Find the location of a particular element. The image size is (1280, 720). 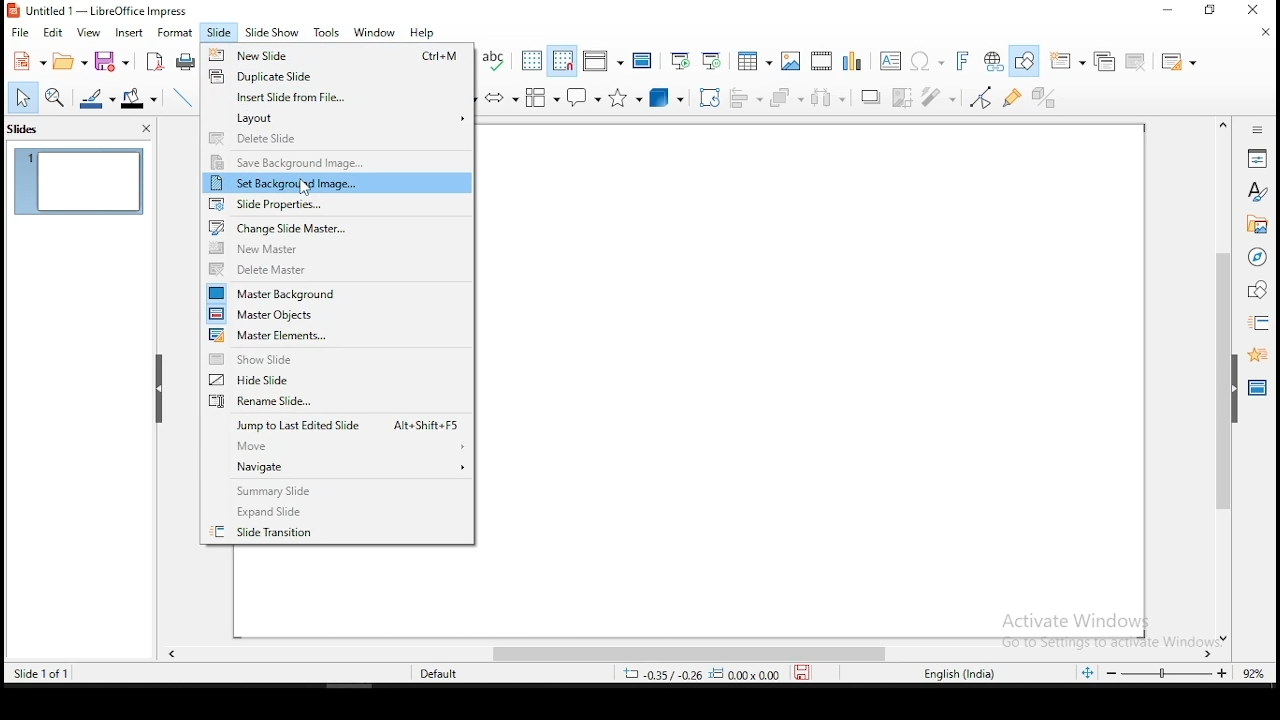

summary slide is located at coordinates (337, 488).